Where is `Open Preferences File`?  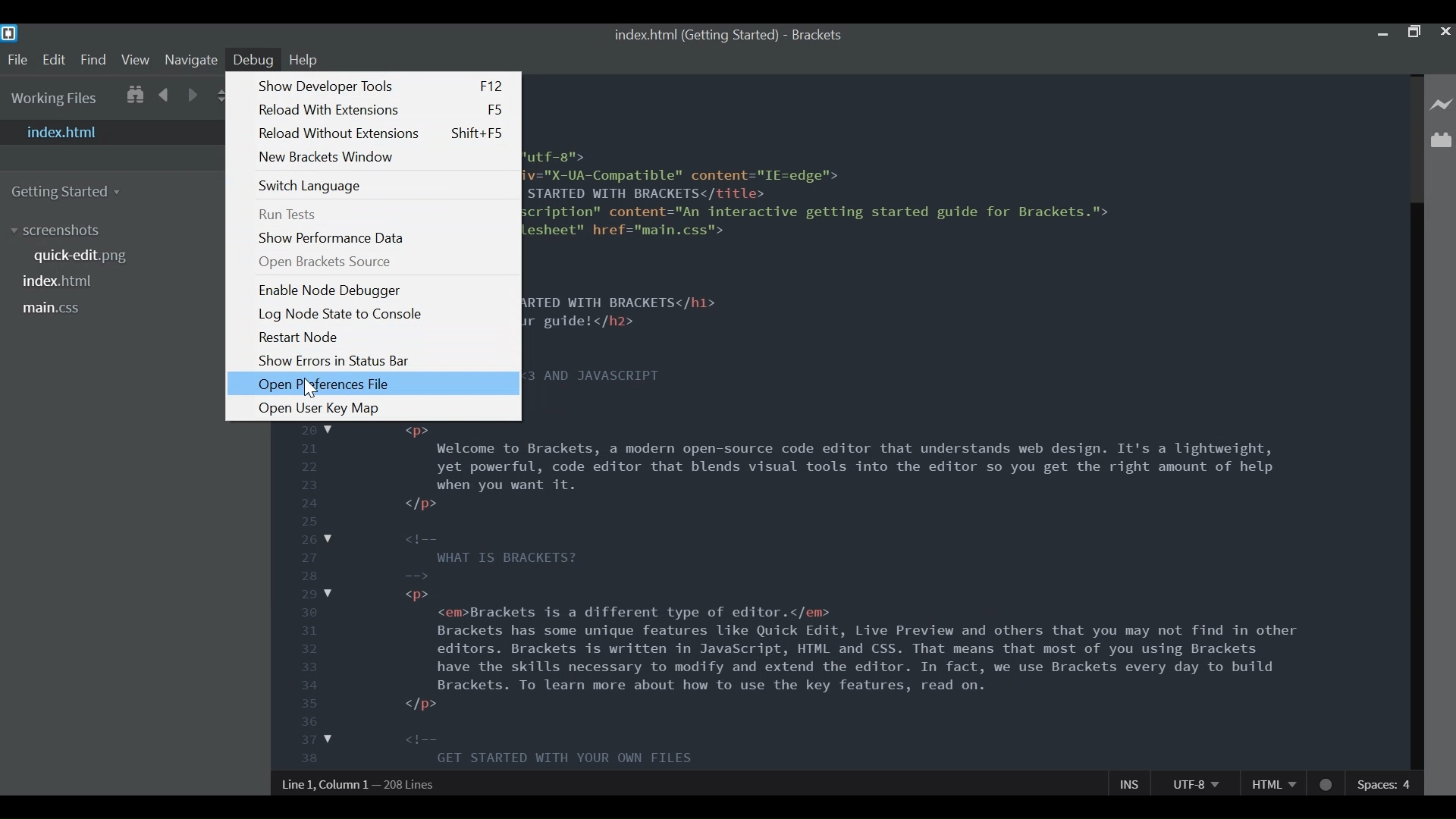
Open Preferences File is located at coordinates (374, 383).